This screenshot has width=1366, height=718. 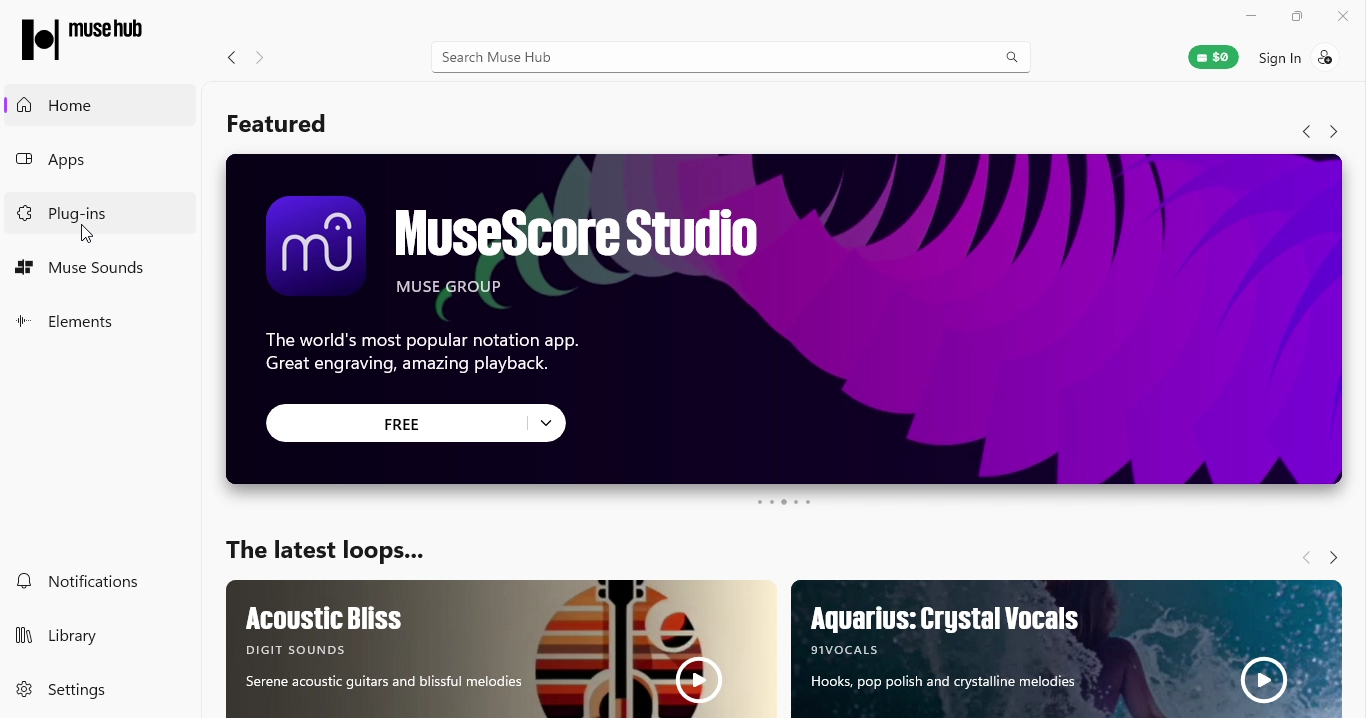 I want to click on Home, so click(x=97, y=109).